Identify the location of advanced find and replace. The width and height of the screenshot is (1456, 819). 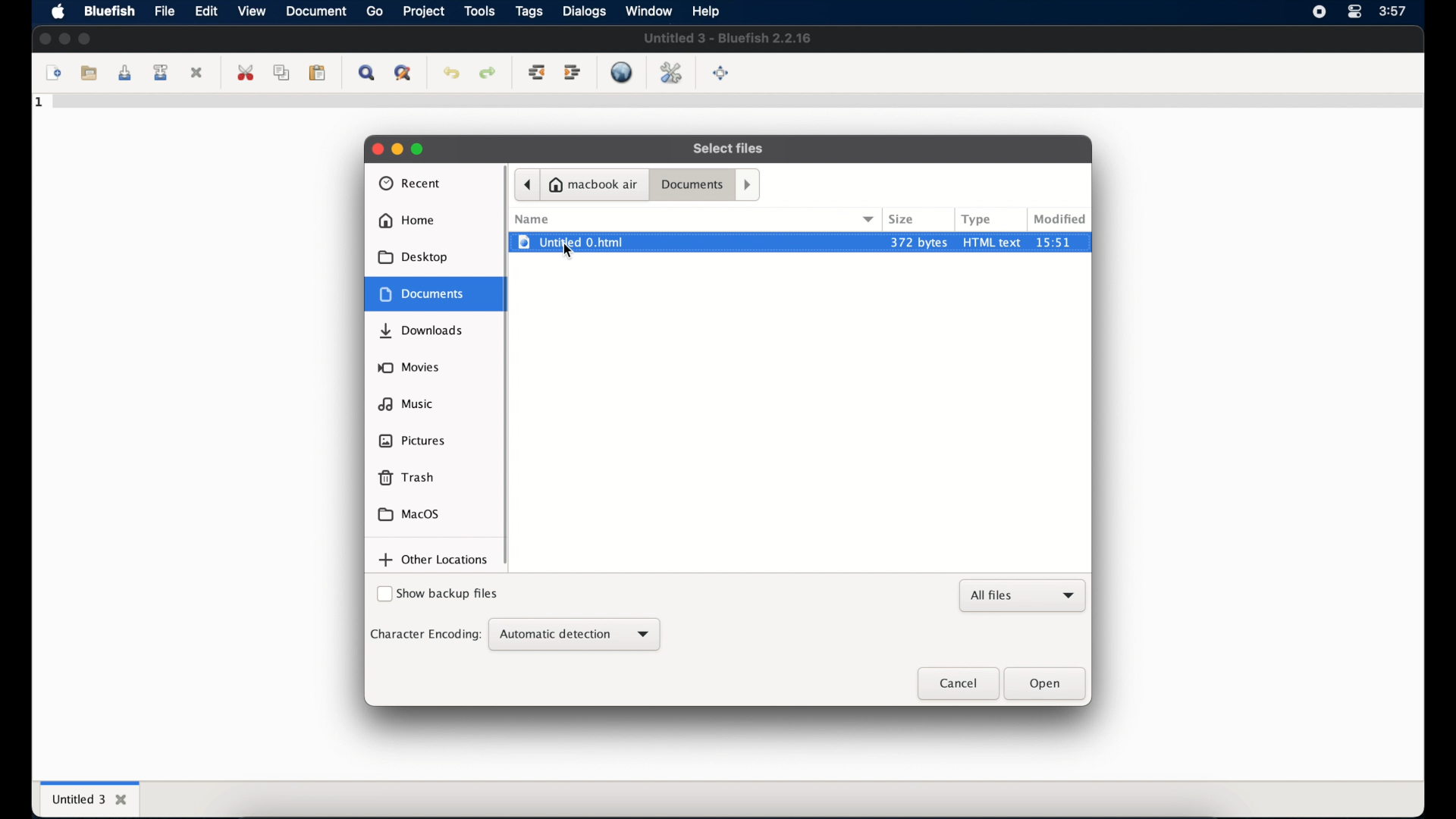
(402, 74).